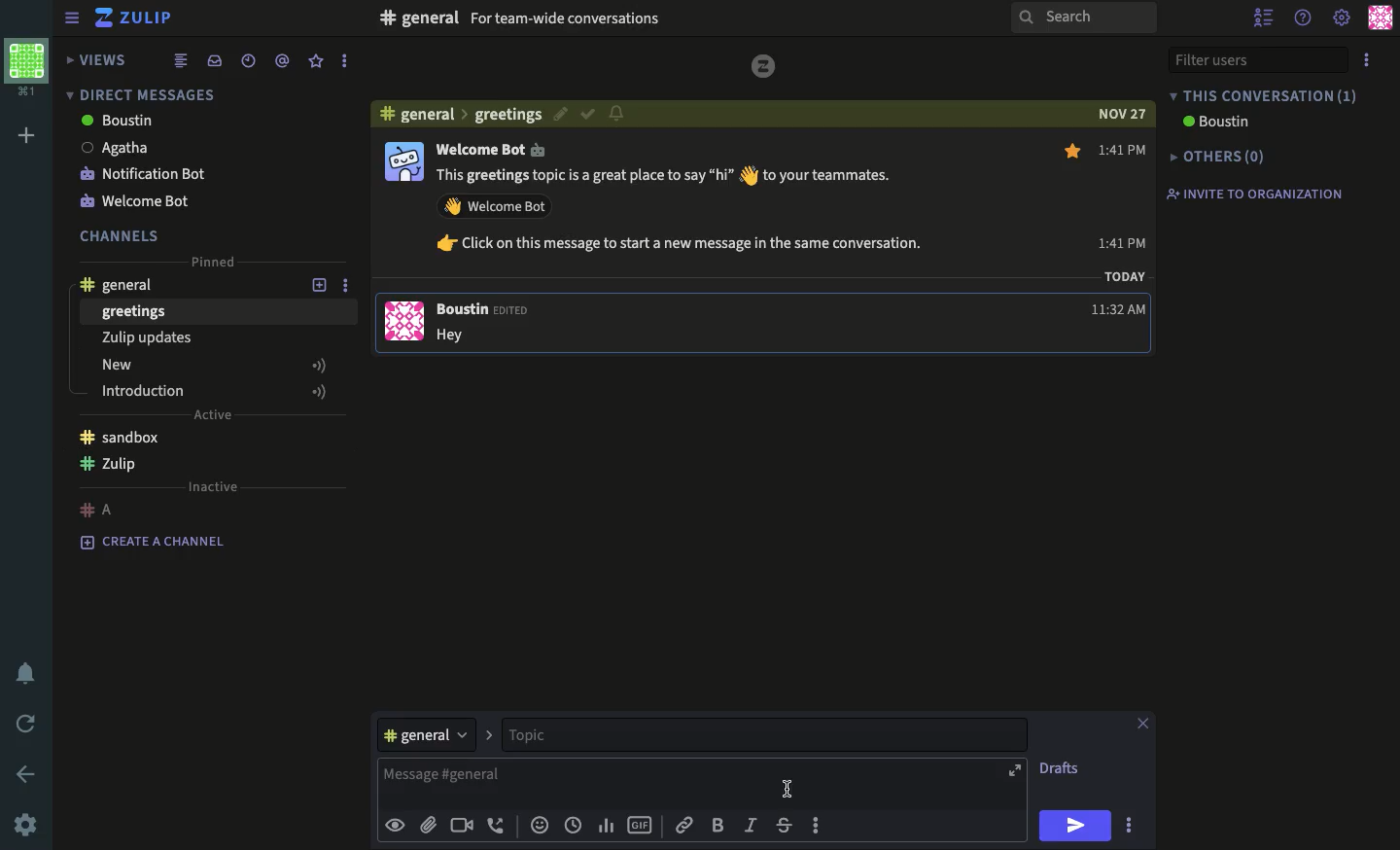 The width and height of the screenshot is (1400, 850). I want to click on general, so click(428, 735).